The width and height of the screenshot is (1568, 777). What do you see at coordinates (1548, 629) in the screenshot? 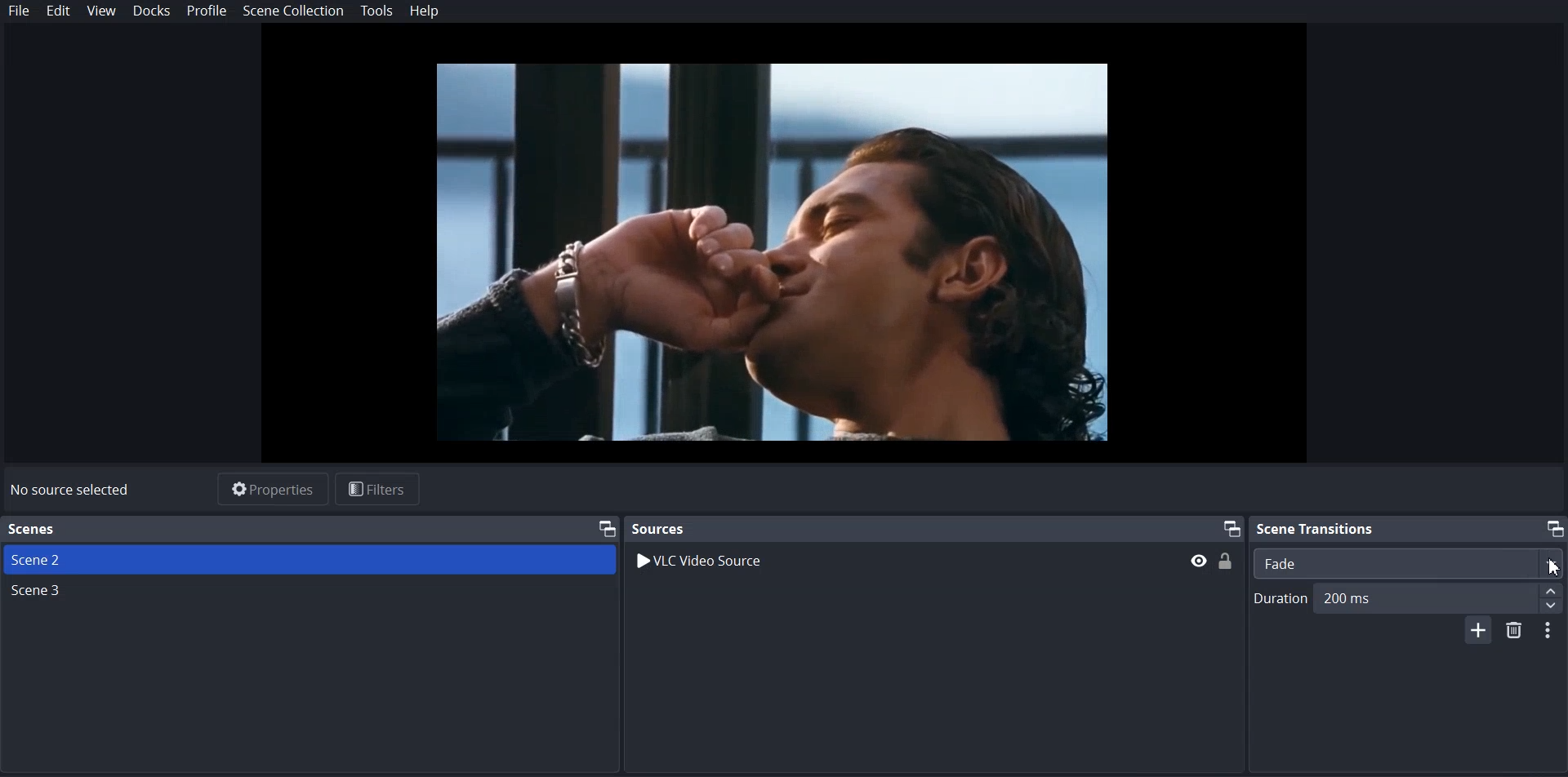
I see `Configurable Transition Properties` at bounding box center [1548, 629].